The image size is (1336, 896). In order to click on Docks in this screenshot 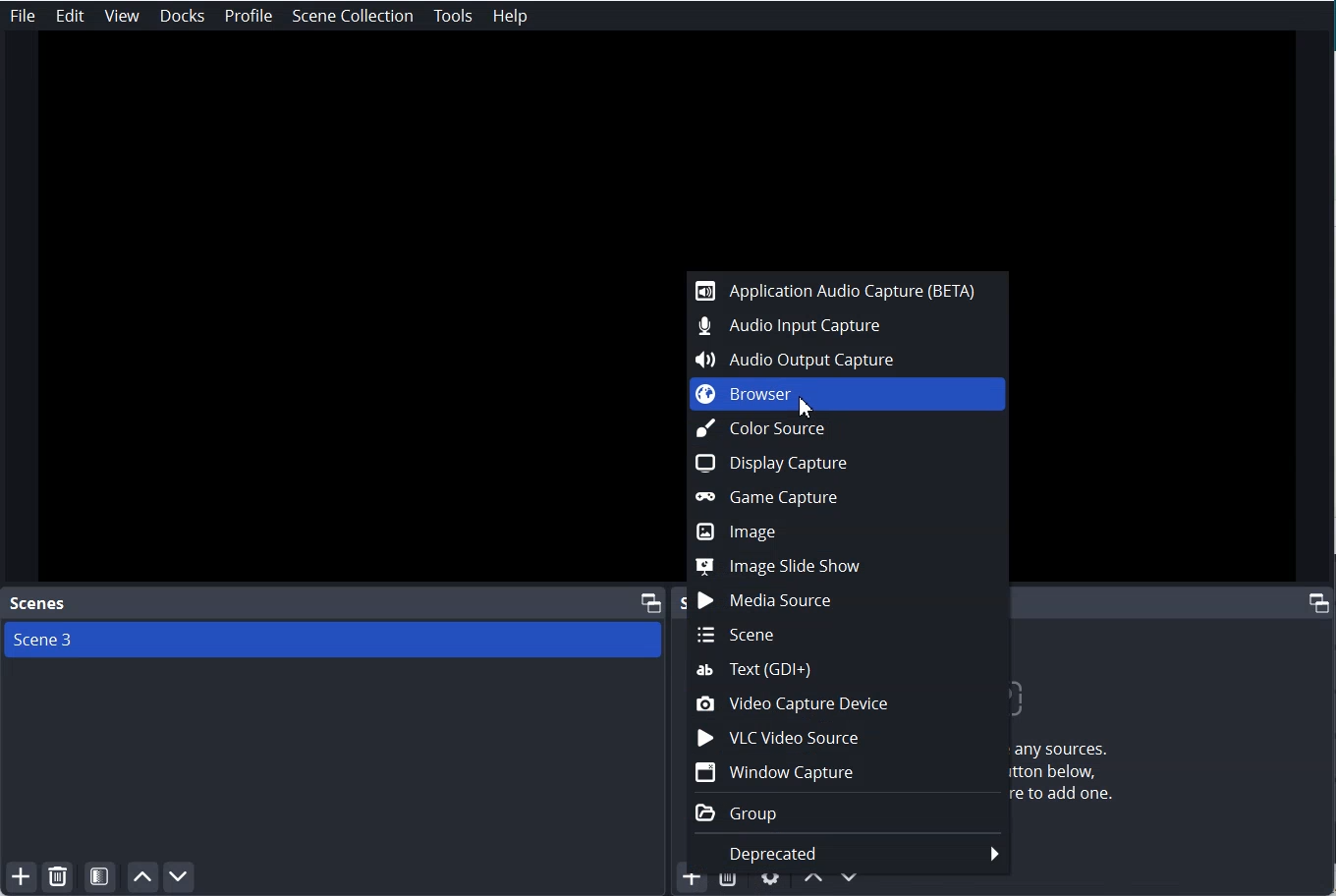, I will do `click(183, 16)`.